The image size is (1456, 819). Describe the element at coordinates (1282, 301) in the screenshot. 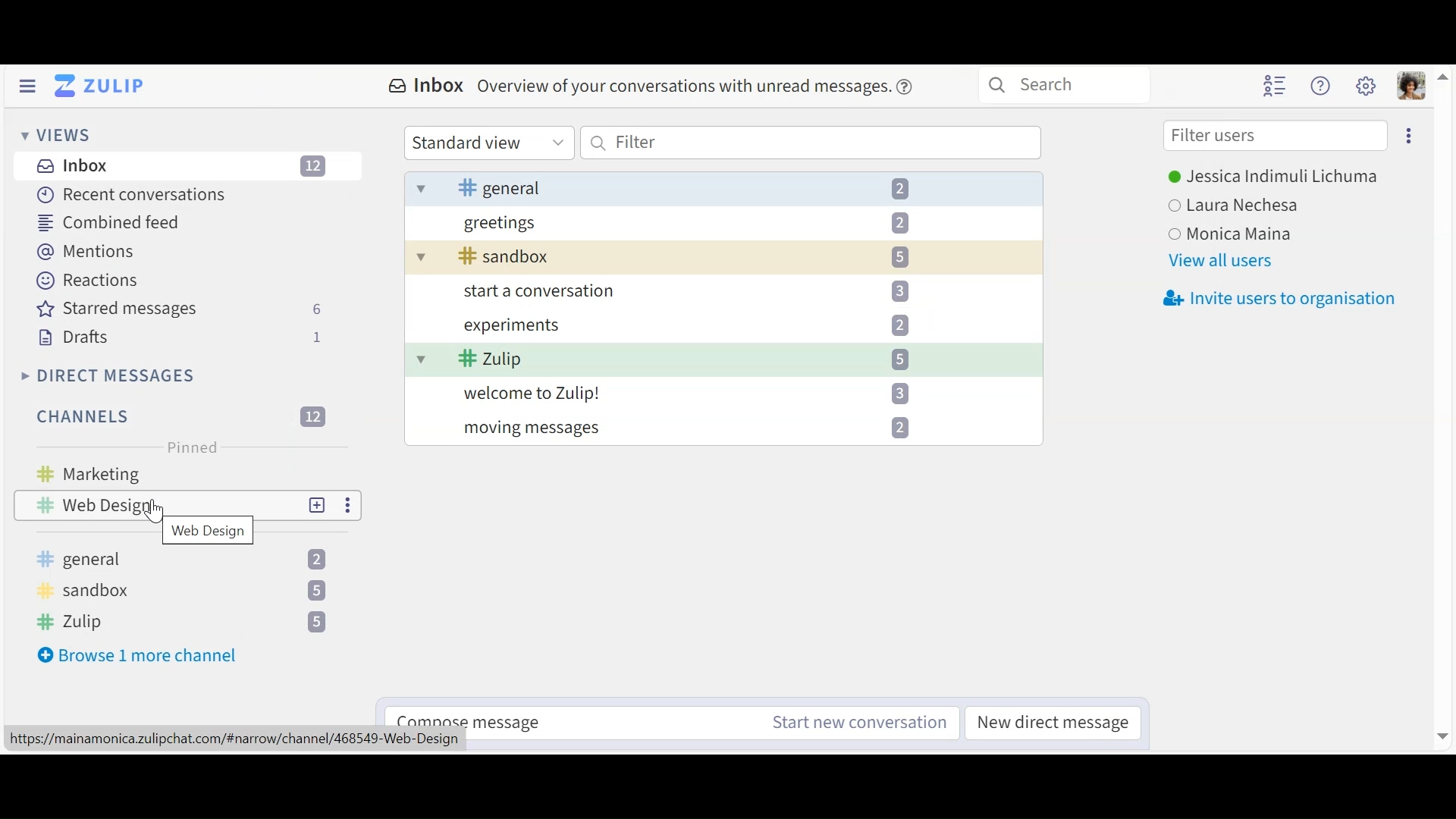

I see `Invite users to organisation` at that location.